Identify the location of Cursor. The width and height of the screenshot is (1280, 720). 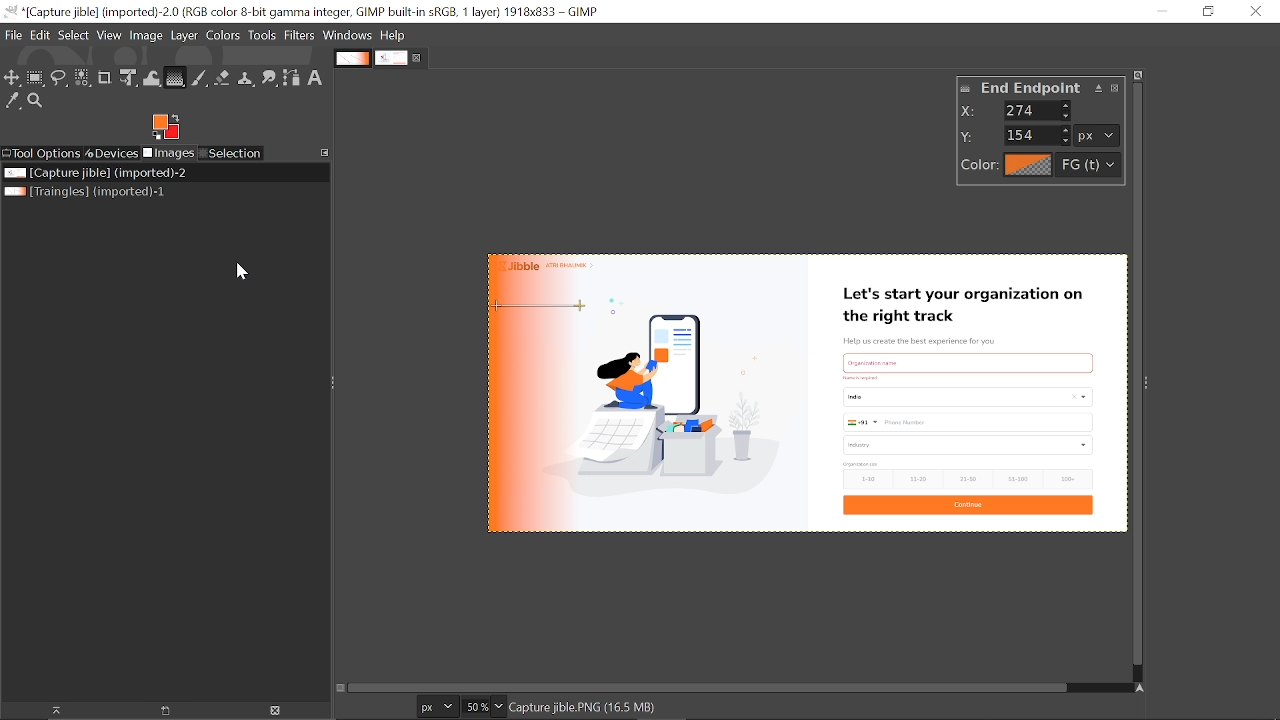
(242, 273).